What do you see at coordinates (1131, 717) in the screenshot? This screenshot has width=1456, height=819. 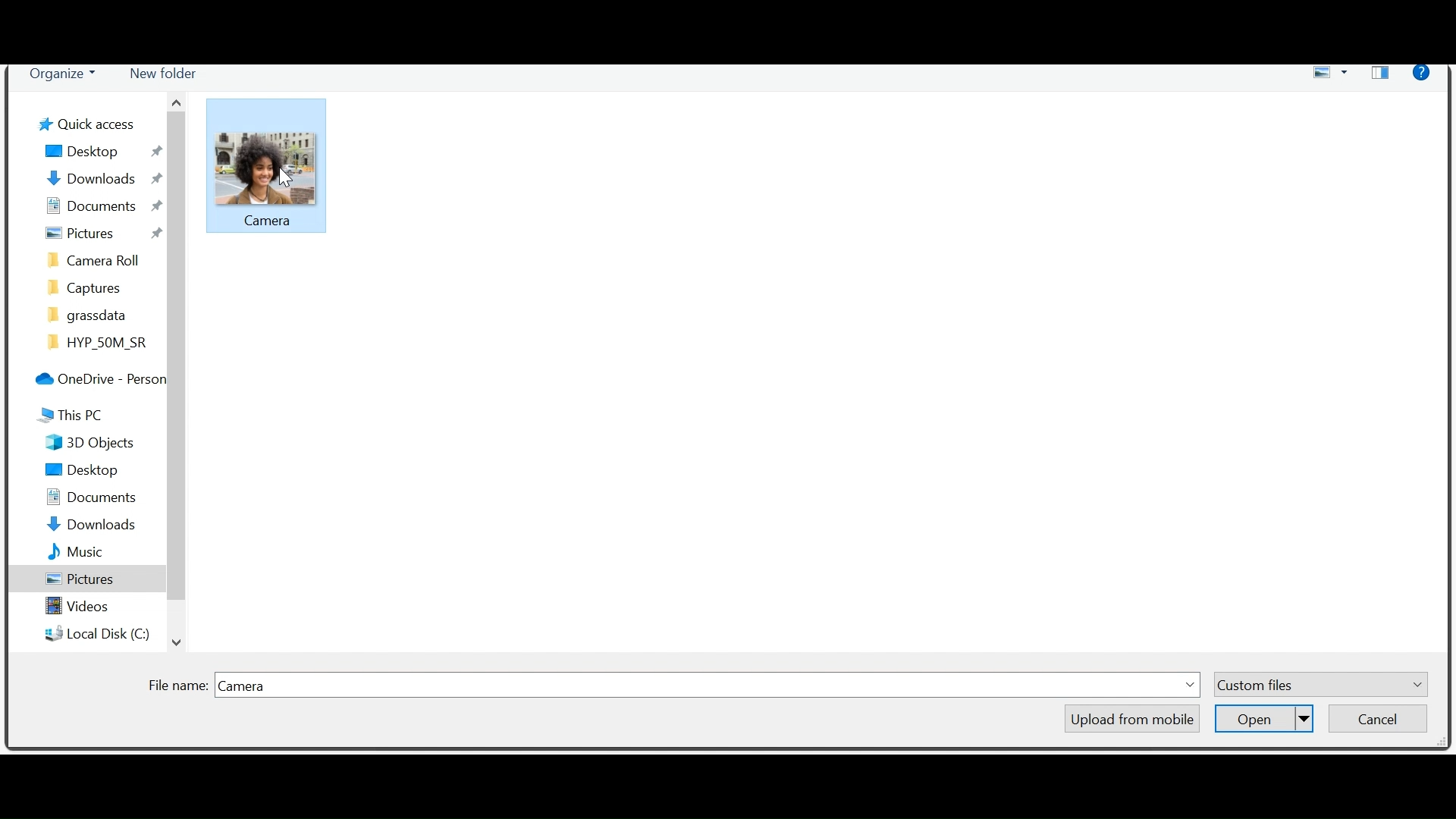 I see `Upload from mobile` at bounding box center [1131, 717].